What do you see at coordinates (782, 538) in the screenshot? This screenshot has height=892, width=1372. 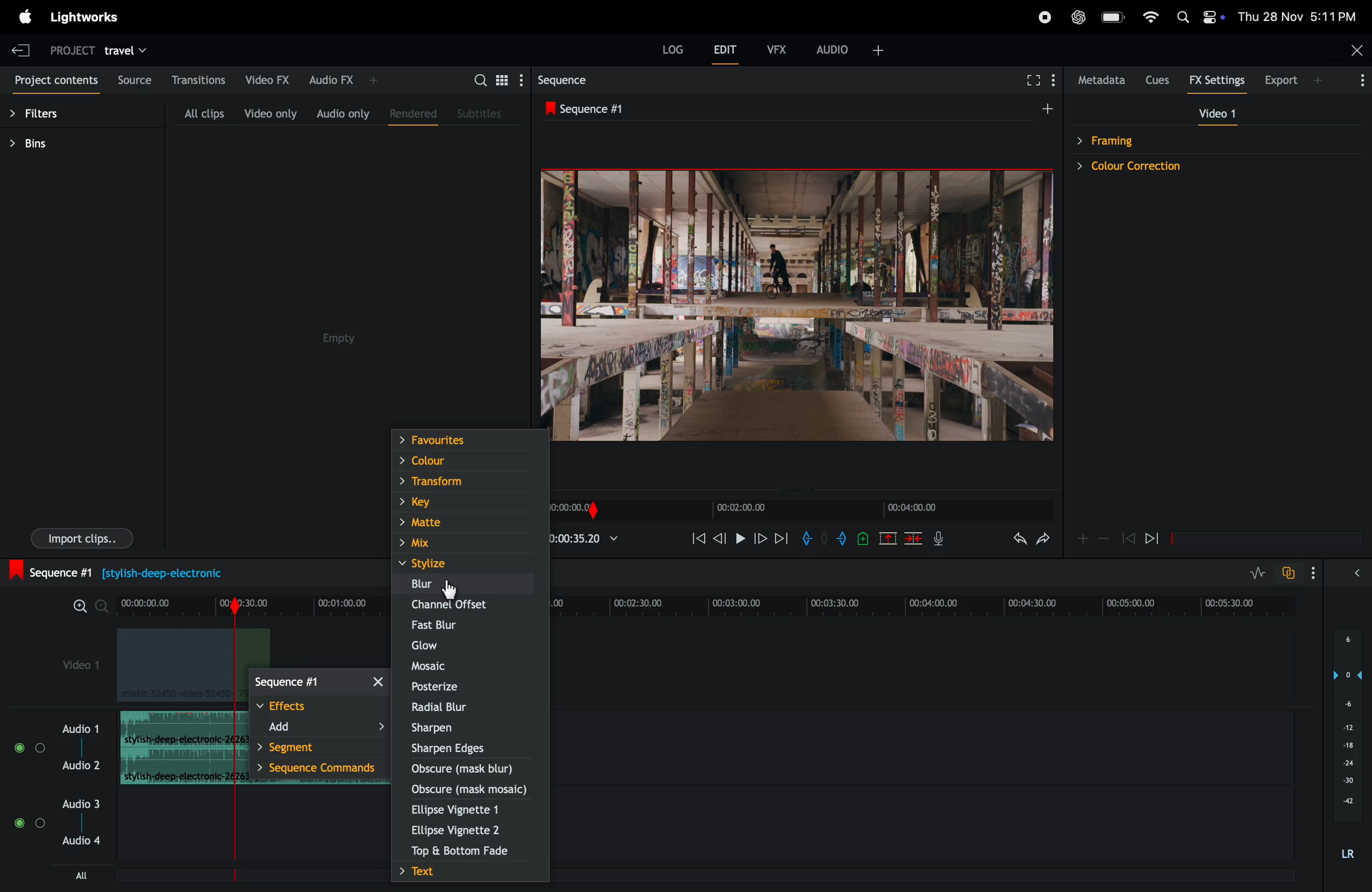 I see `next mark` at bounding box center [782, 538].